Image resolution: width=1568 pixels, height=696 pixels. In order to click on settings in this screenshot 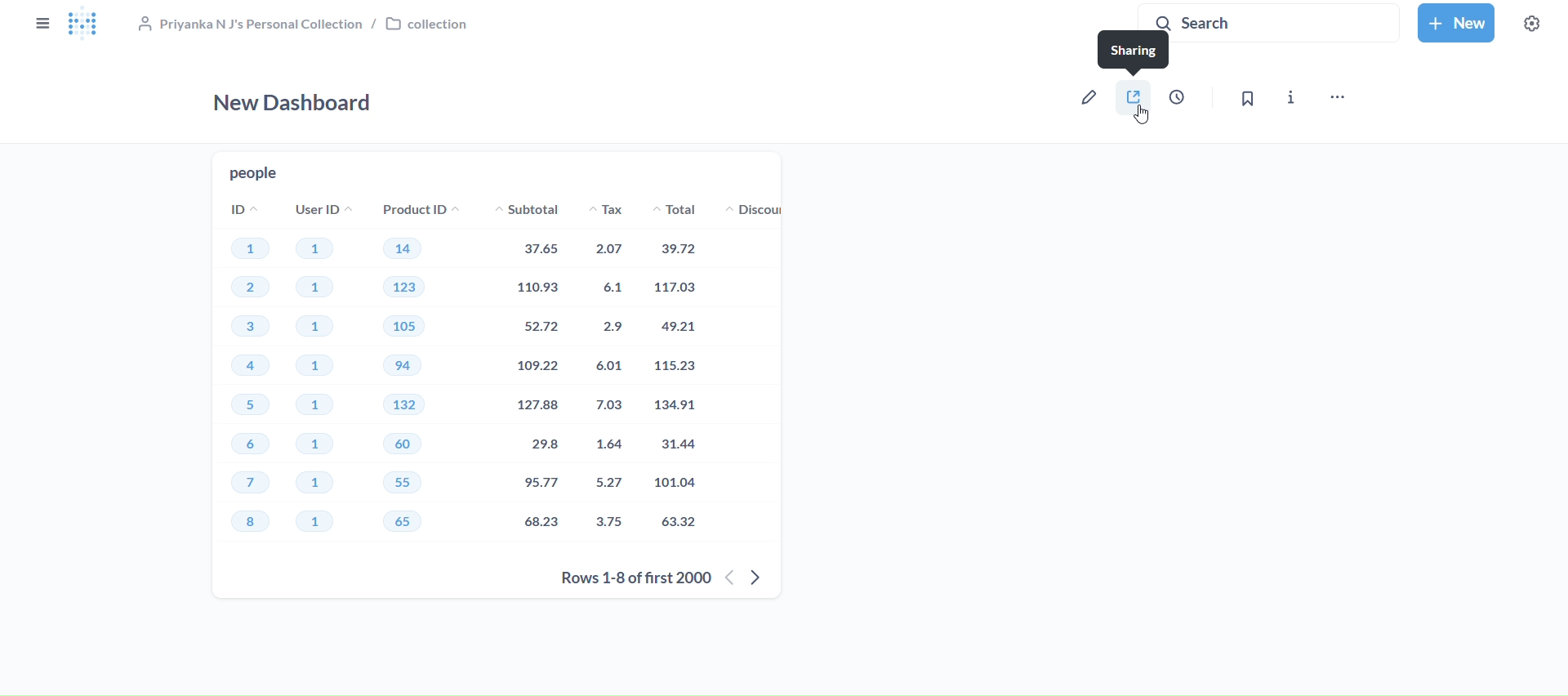, I will do `click(1531, 25)`.